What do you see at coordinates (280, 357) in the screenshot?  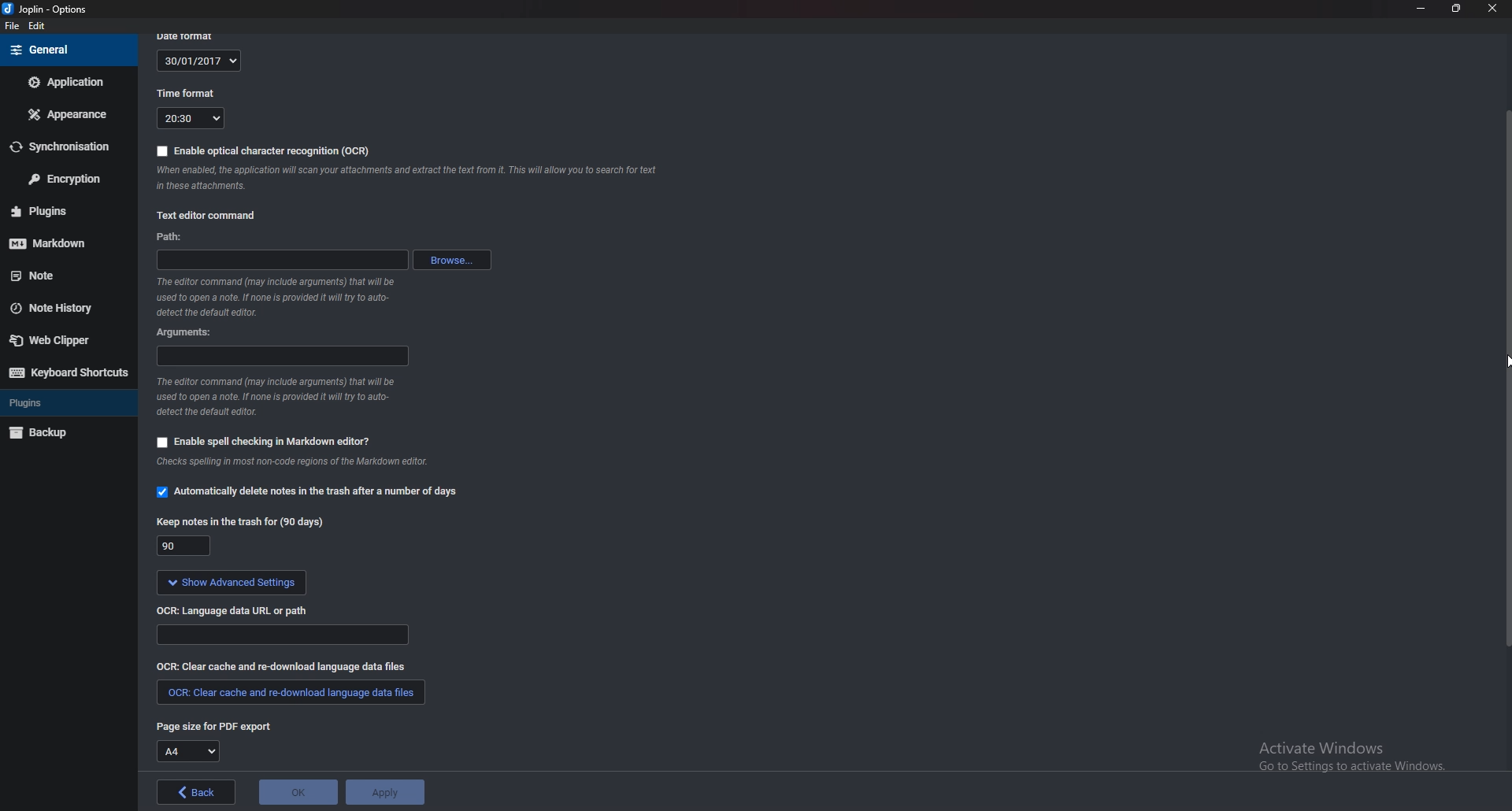 I see `arguments` at bounding box center [280, 357].